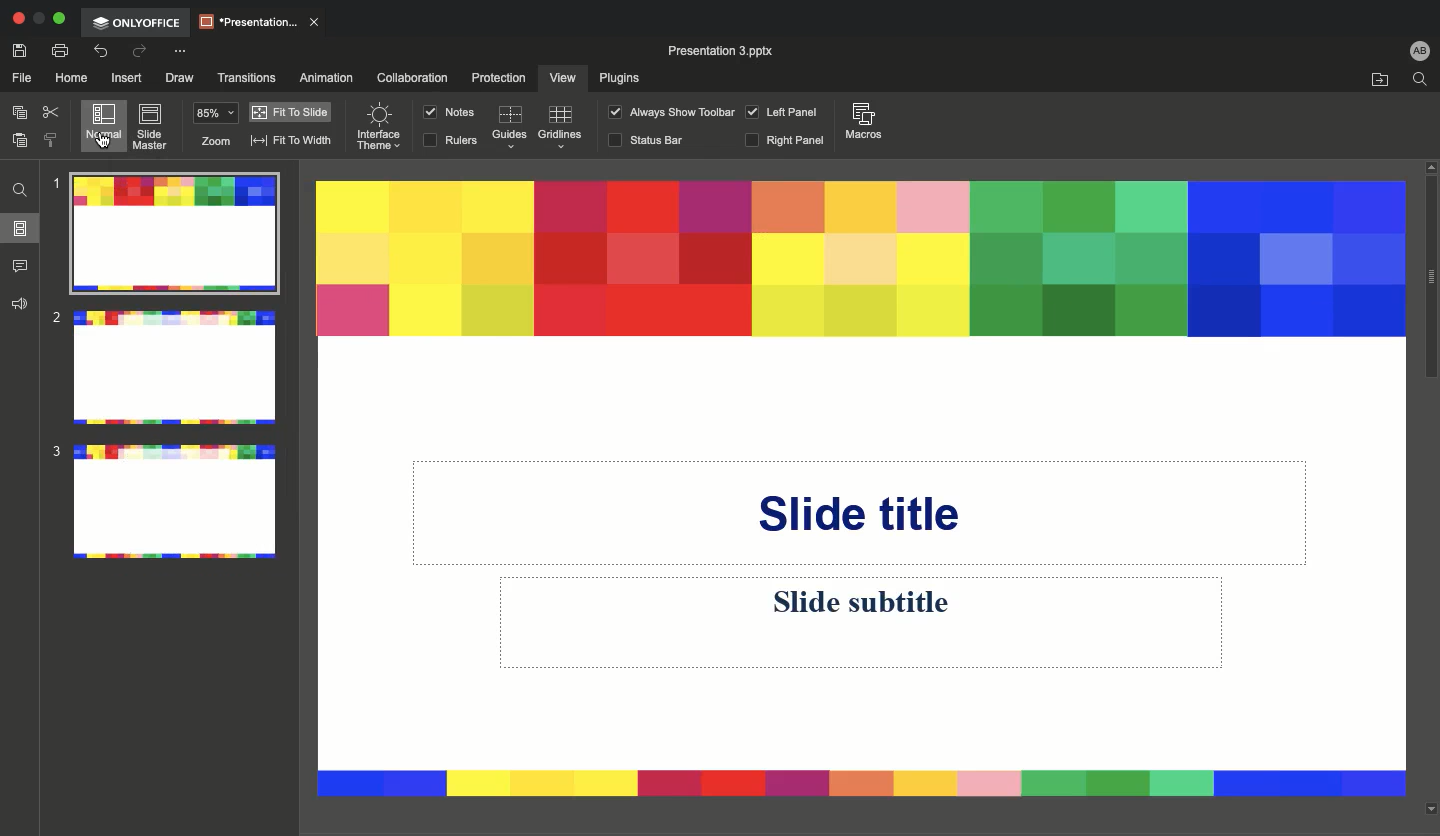 Image resolution: width=1440 pixels, height=836 pixels. What do you see at coordinates (22, 302) in the screenshot?
I see `Feedback & support` at bounding box center [22, 302].